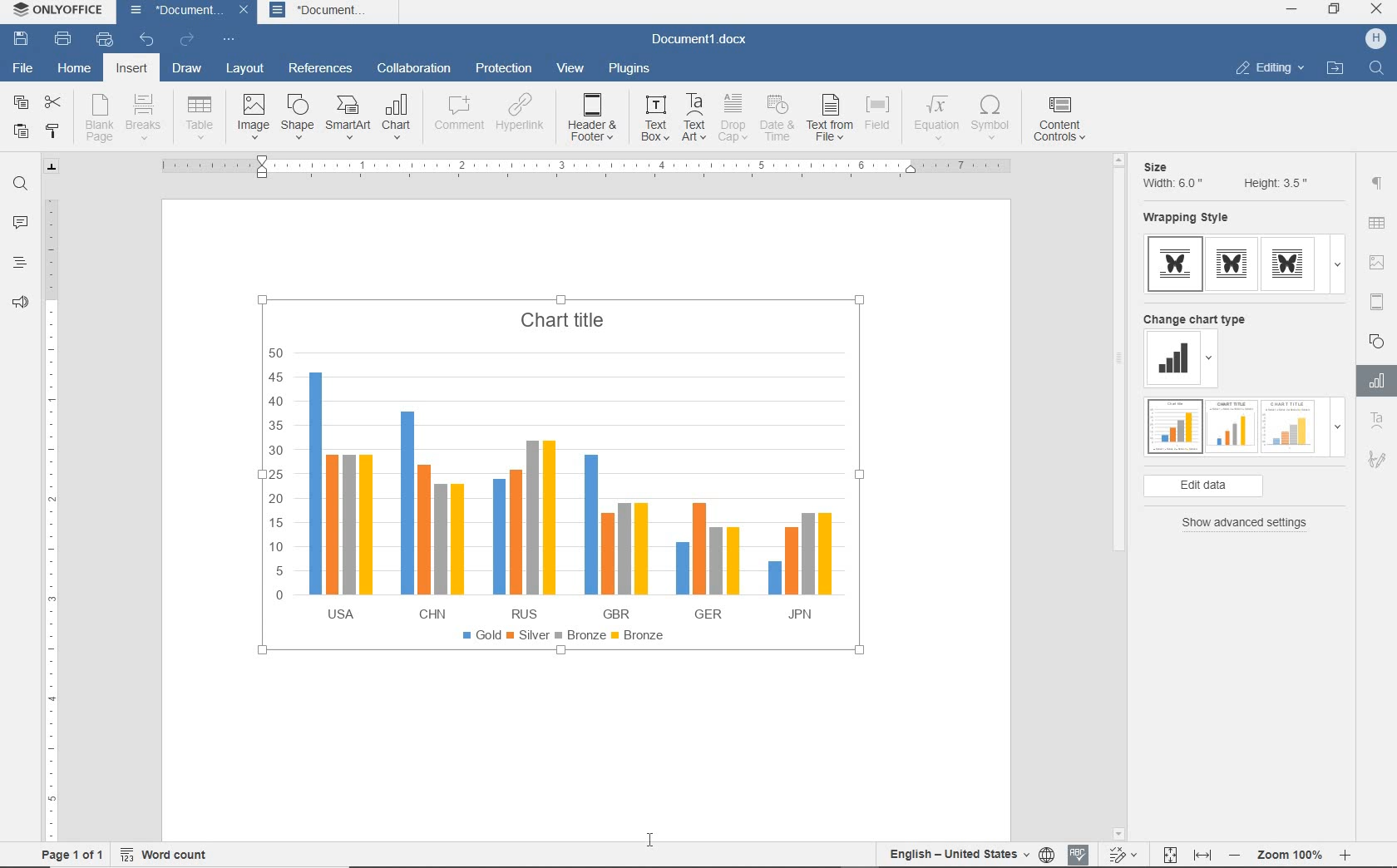 This screenshot has width=1397, height=868. Describe the element at coordinates (398, 117) in the screenshot. I see `chart` at that location.